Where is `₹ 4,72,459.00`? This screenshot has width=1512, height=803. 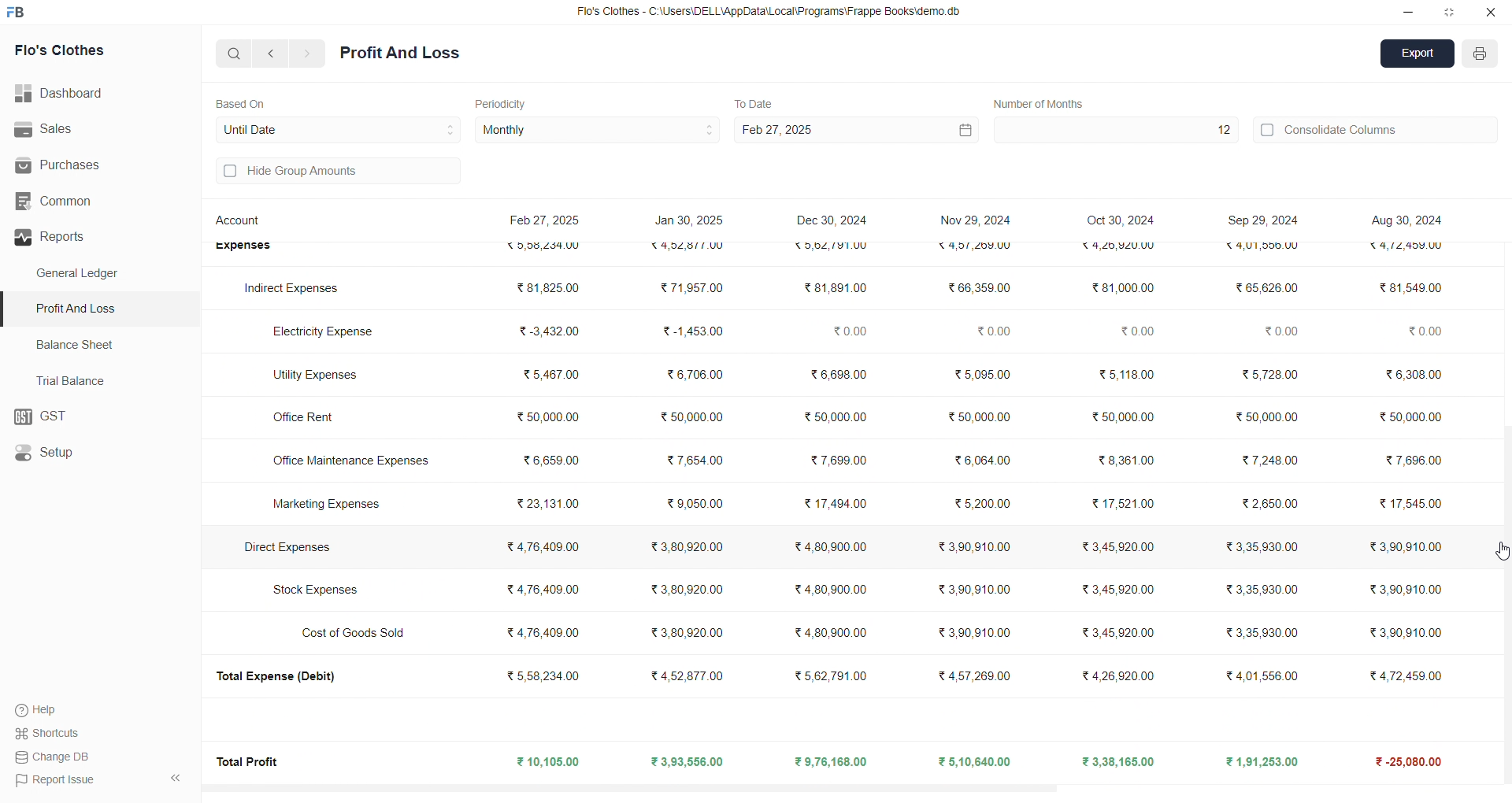
₹ 4,72,459.00 is located at coordinates (1402, 674).